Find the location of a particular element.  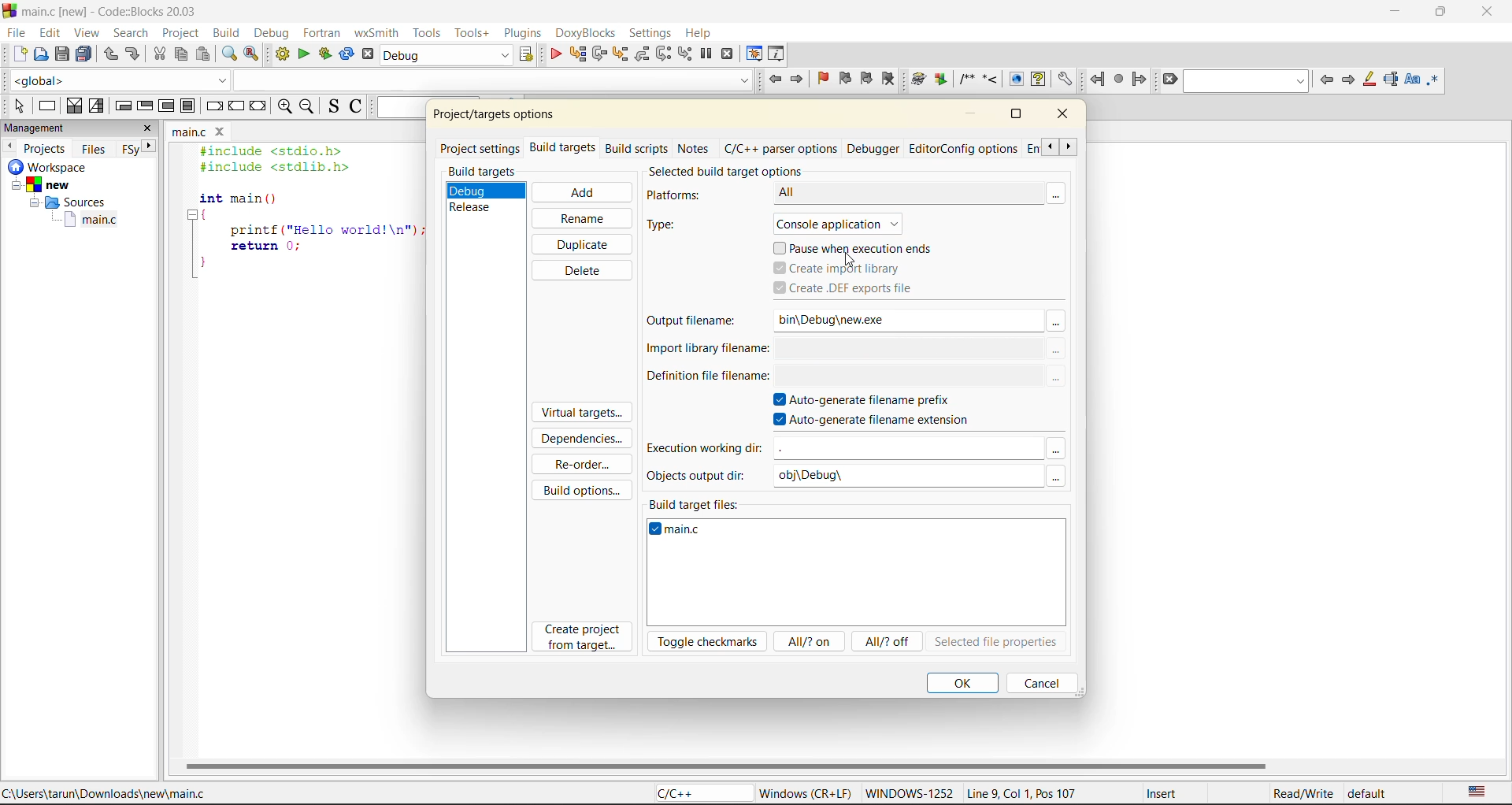

notes is located at coordinates (695, 147).